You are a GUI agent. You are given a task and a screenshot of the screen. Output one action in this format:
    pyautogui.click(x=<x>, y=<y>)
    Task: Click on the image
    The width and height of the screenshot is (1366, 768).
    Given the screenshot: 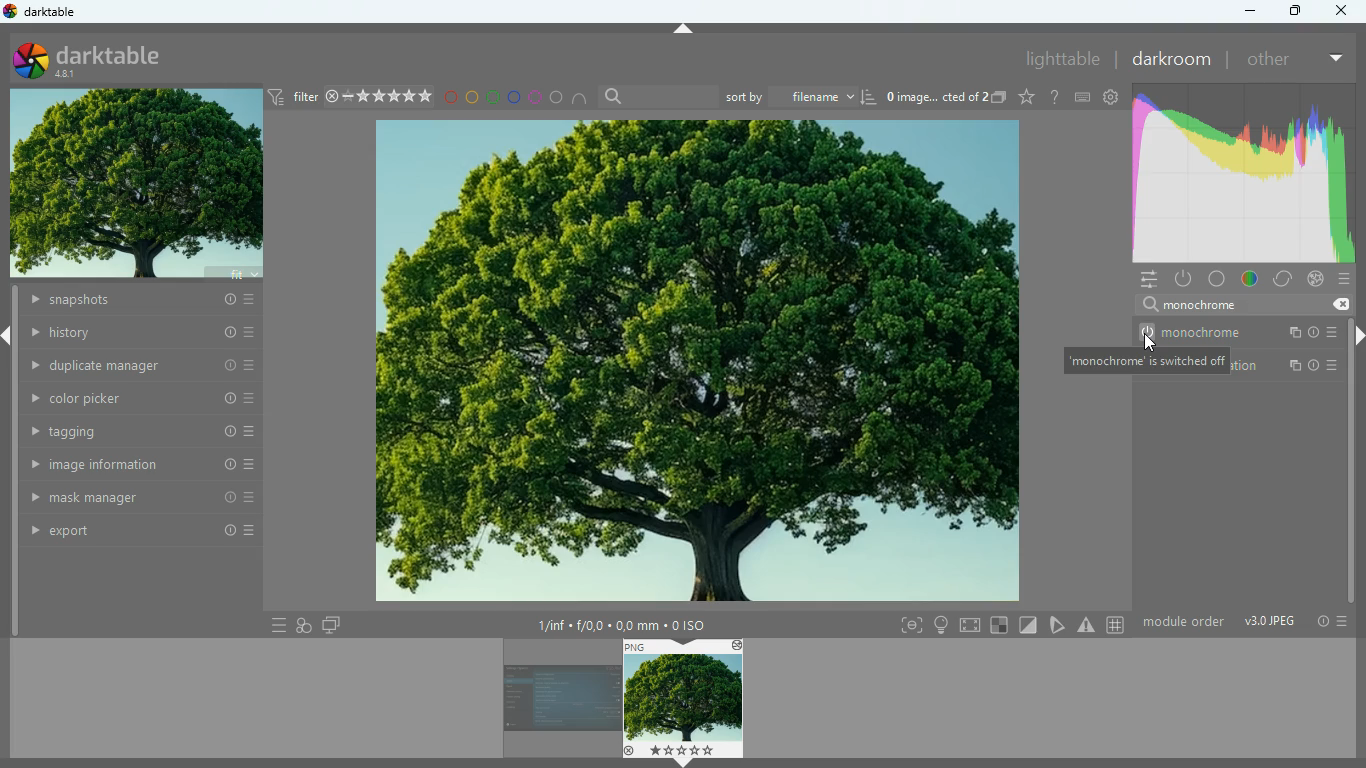 What is the action you would take?
    pyautogui.click(x=682, y=698)
    